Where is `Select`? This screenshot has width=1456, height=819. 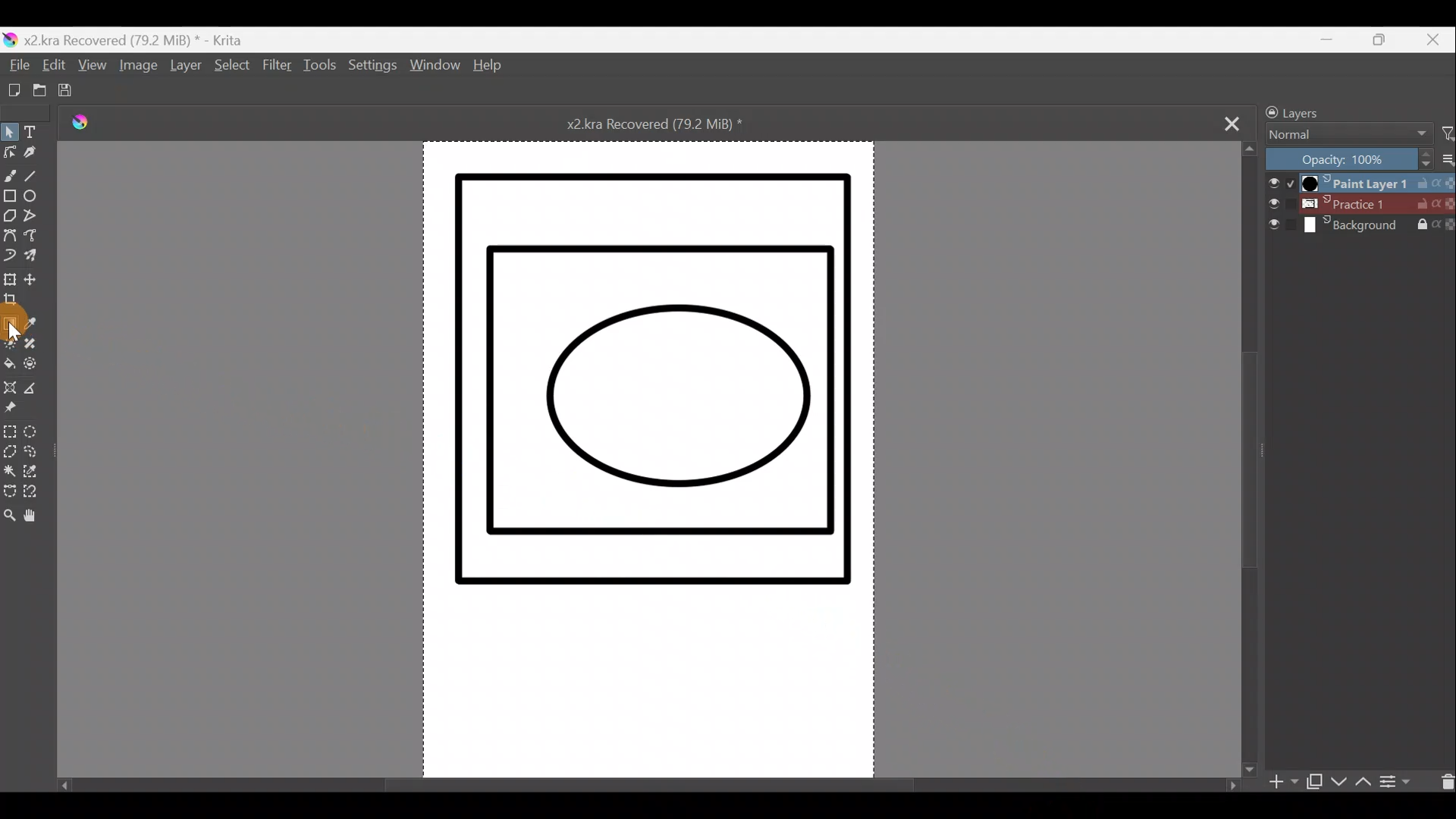 Select is located at coordinates (230, 66).